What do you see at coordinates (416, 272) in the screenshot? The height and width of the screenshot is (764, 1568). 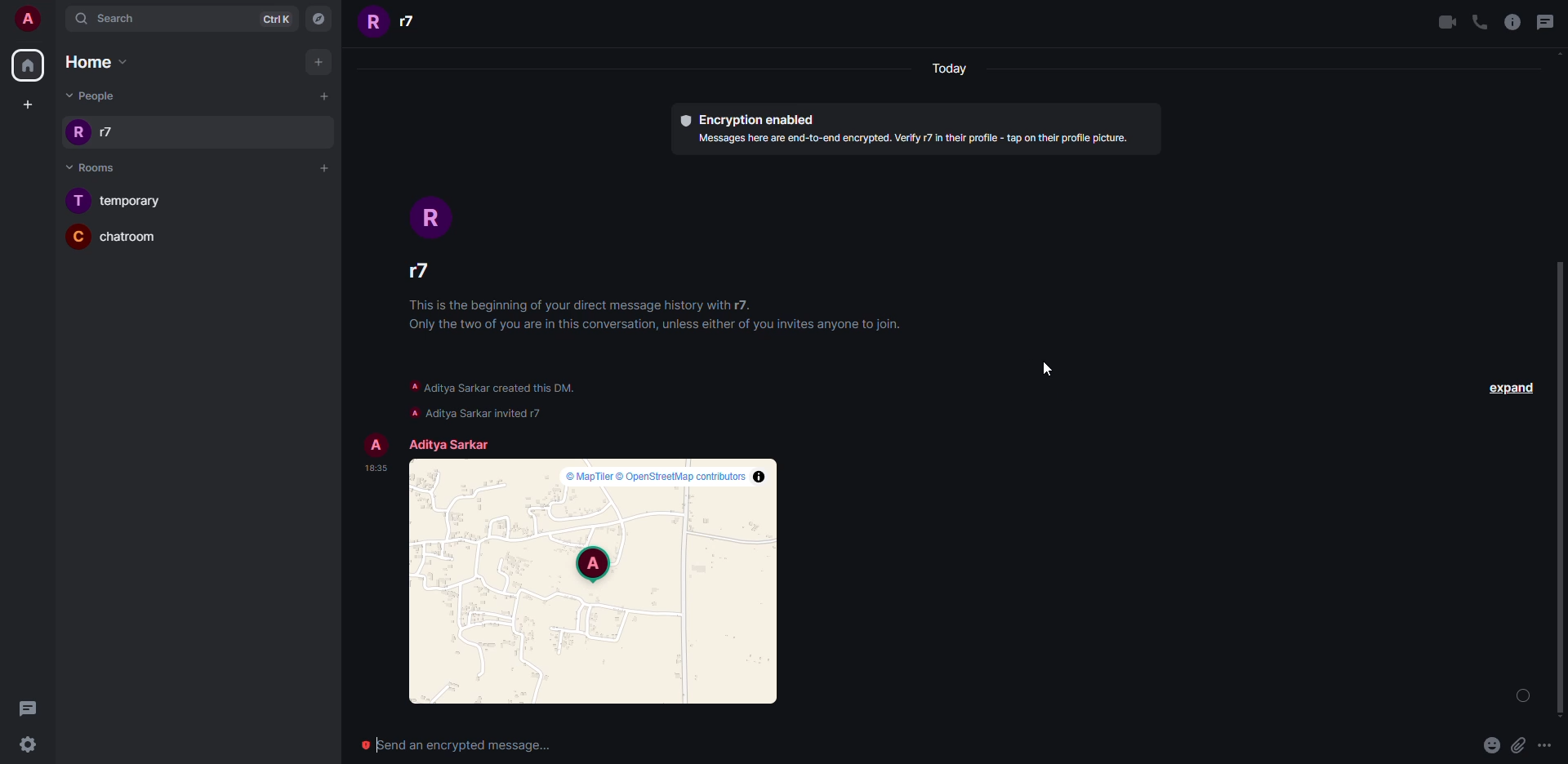 I see `people` at bounding box center [416, 272].